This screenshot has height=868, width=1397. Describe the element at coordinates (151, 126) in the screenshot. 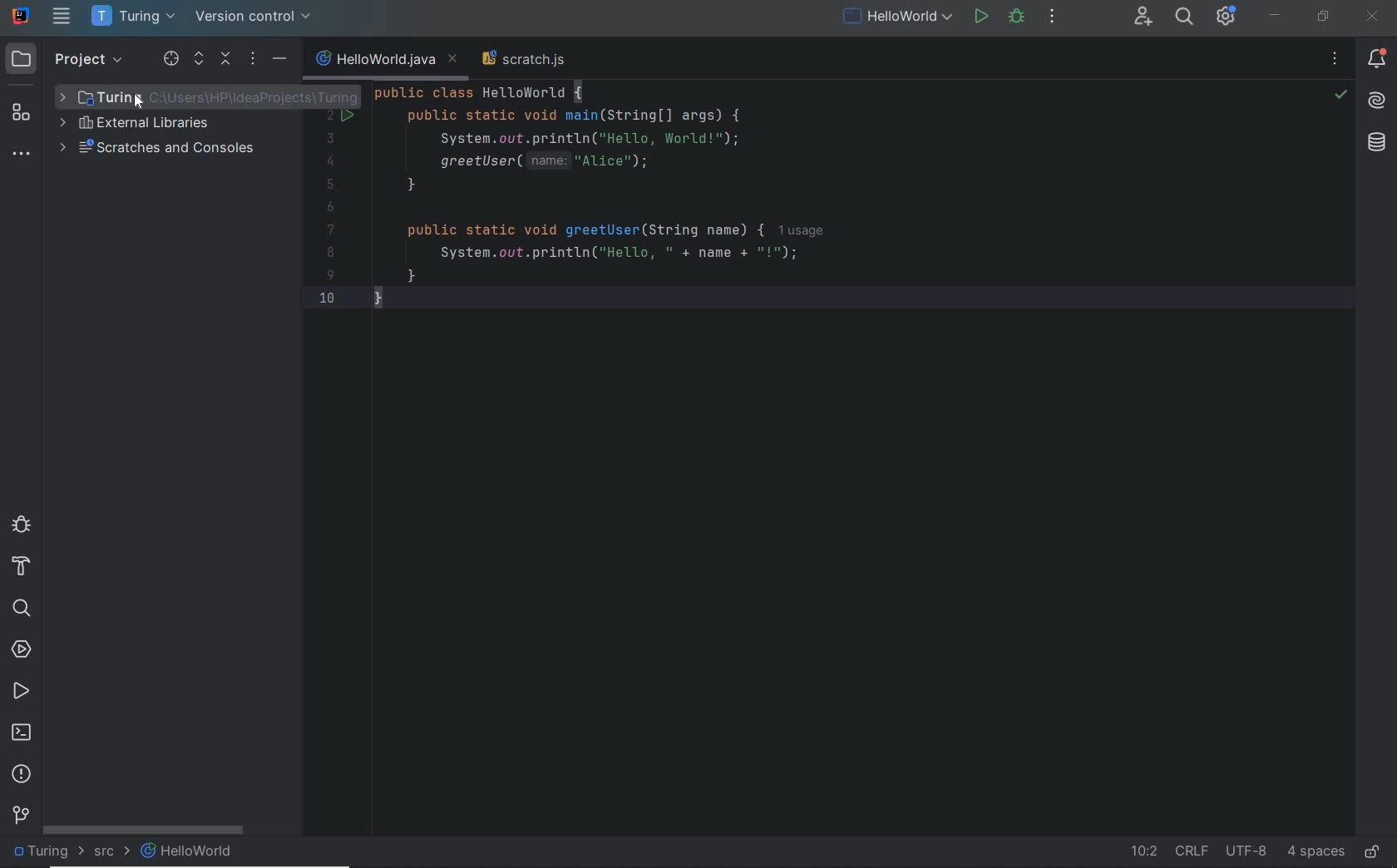

I see `external libraries` at that location.